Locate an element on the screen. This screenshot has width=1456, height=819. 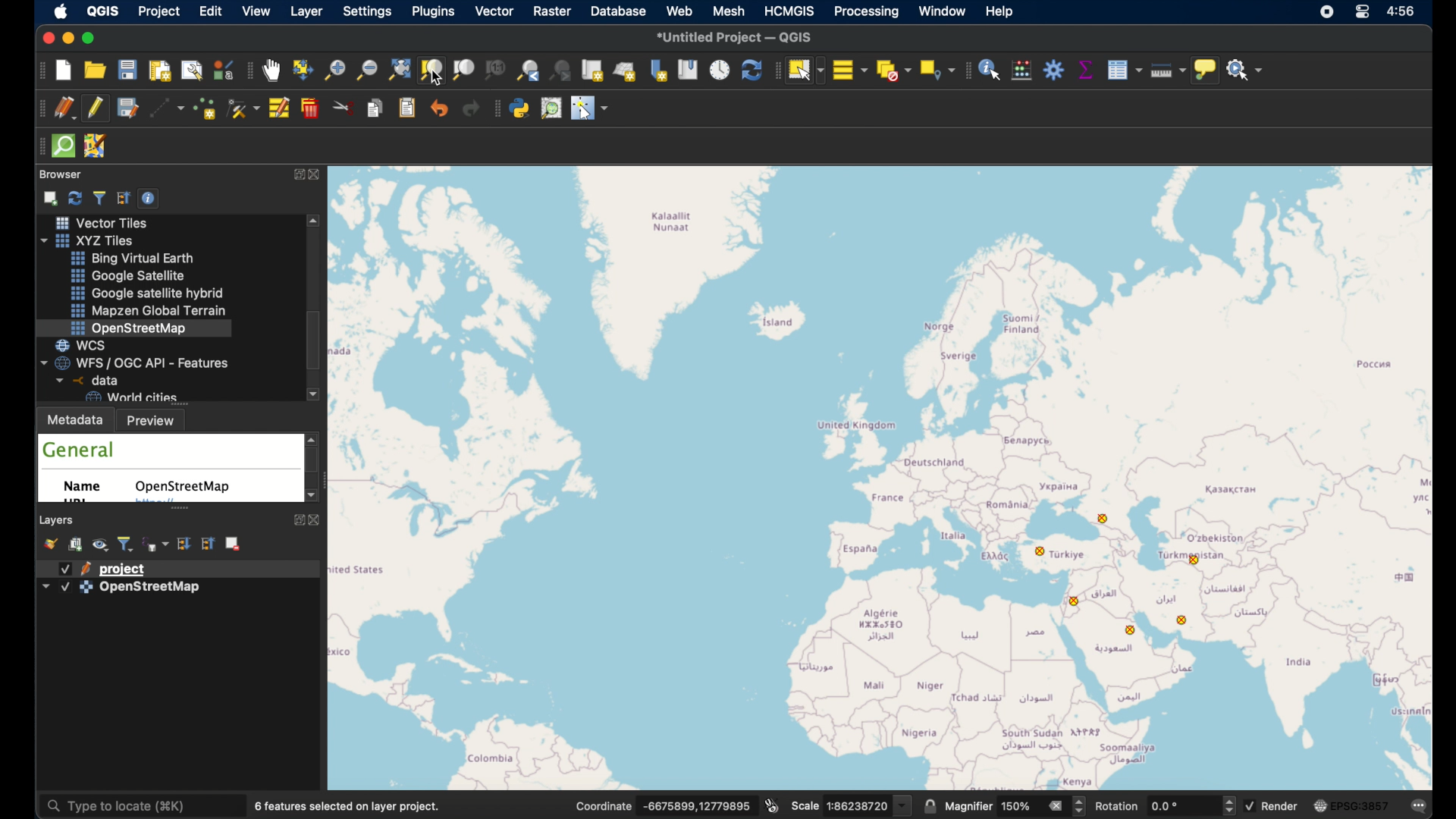
QGIS is located at coordinates (107, 10).